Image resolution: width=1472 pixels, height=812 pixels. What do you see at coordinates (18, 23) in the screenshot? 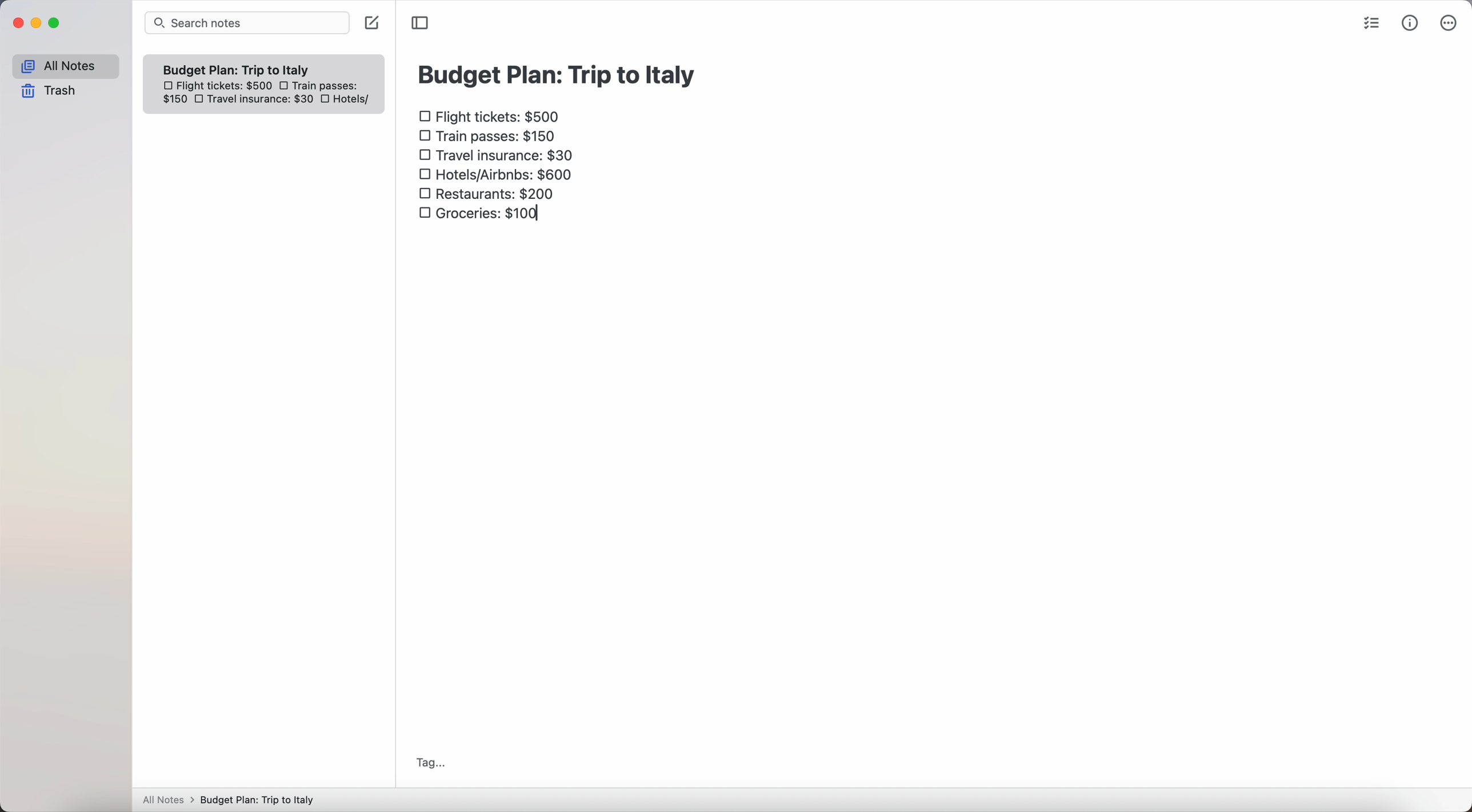
I see `close Simplenote` at bounding box center [18, 23].